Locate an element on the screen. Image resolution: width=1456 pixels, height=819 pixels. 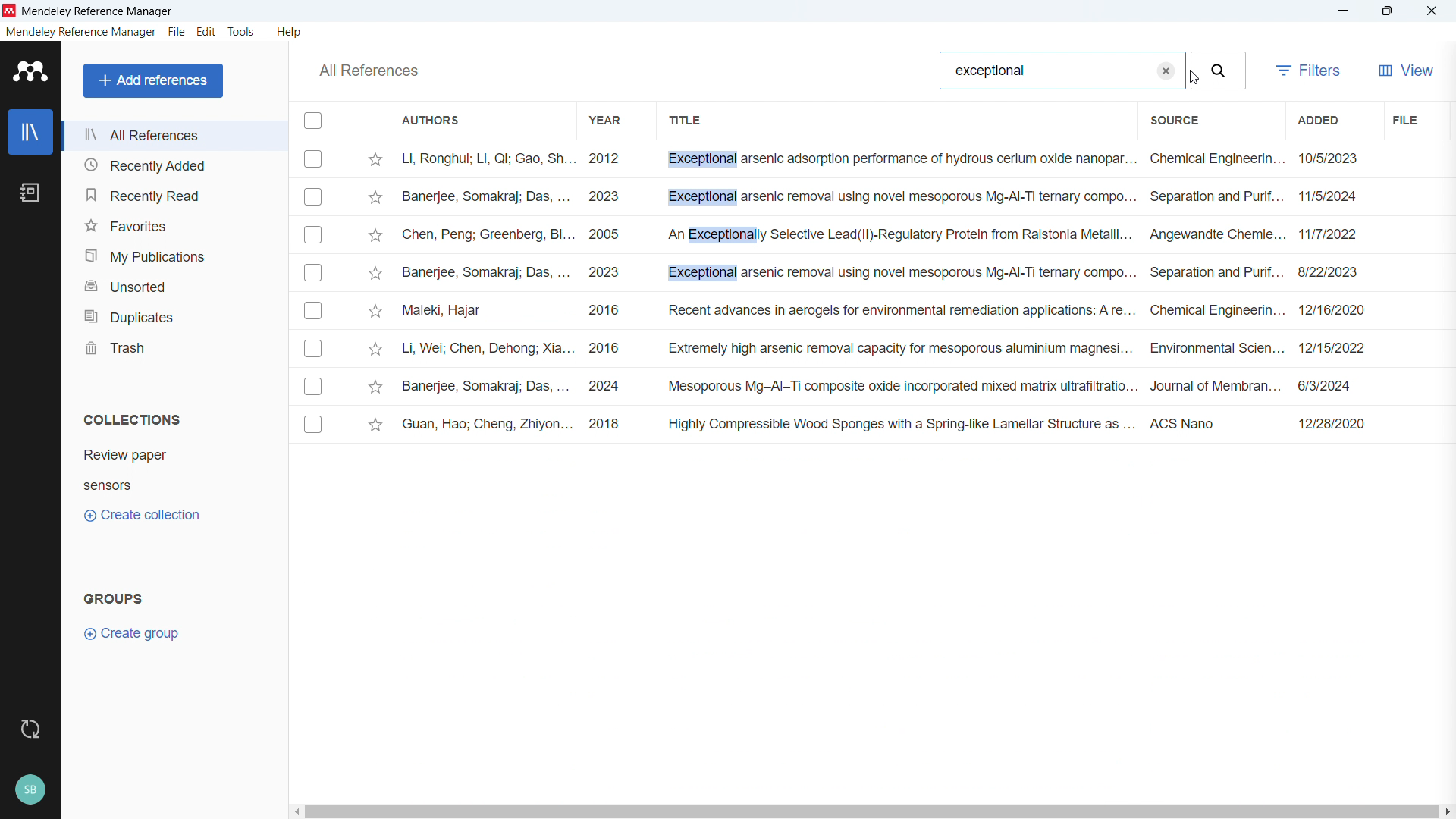
Search  is located at coordinates (1222, 70).